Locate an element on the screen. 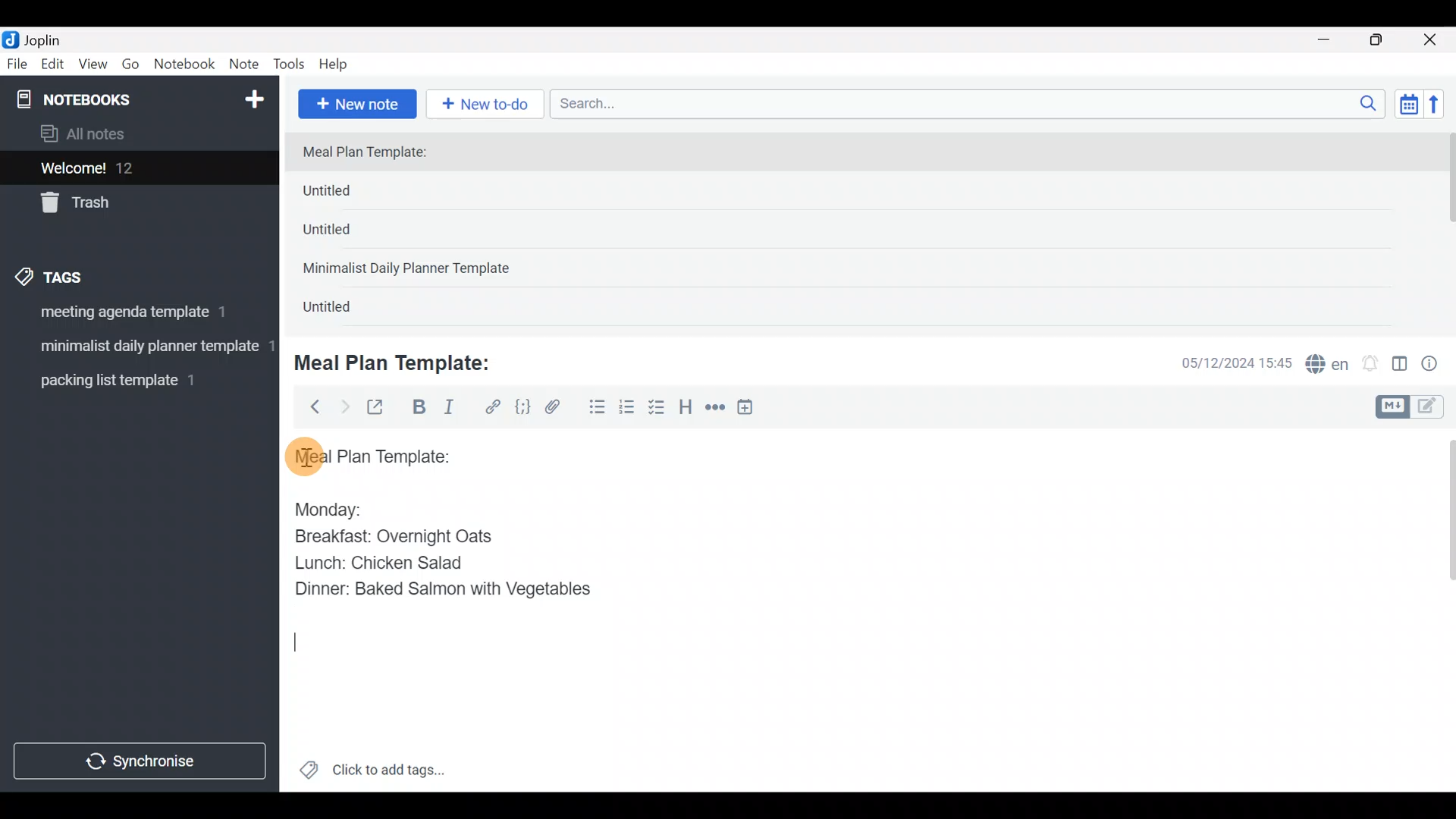 Image resolution: width=1456 pixels, height=819 pixels. Notebooks is located at coordinates (107, 99).